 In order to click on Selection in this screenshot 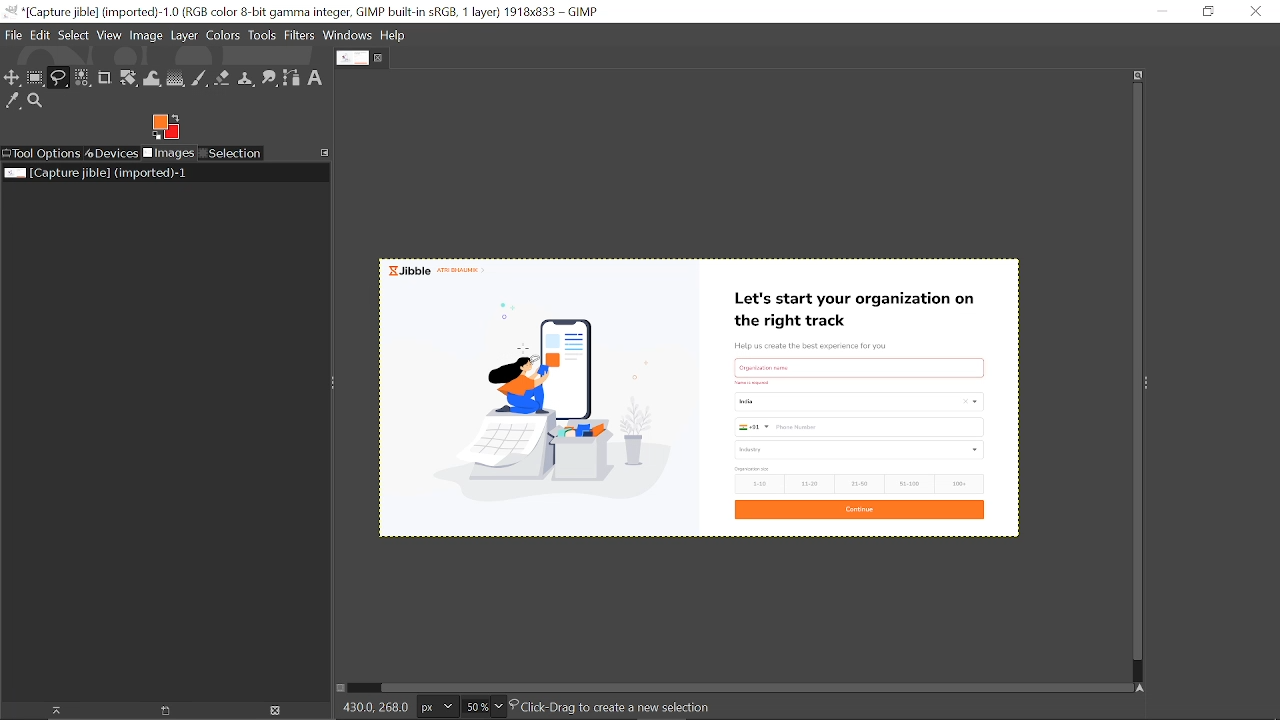, I will do `click(230, 154)`.